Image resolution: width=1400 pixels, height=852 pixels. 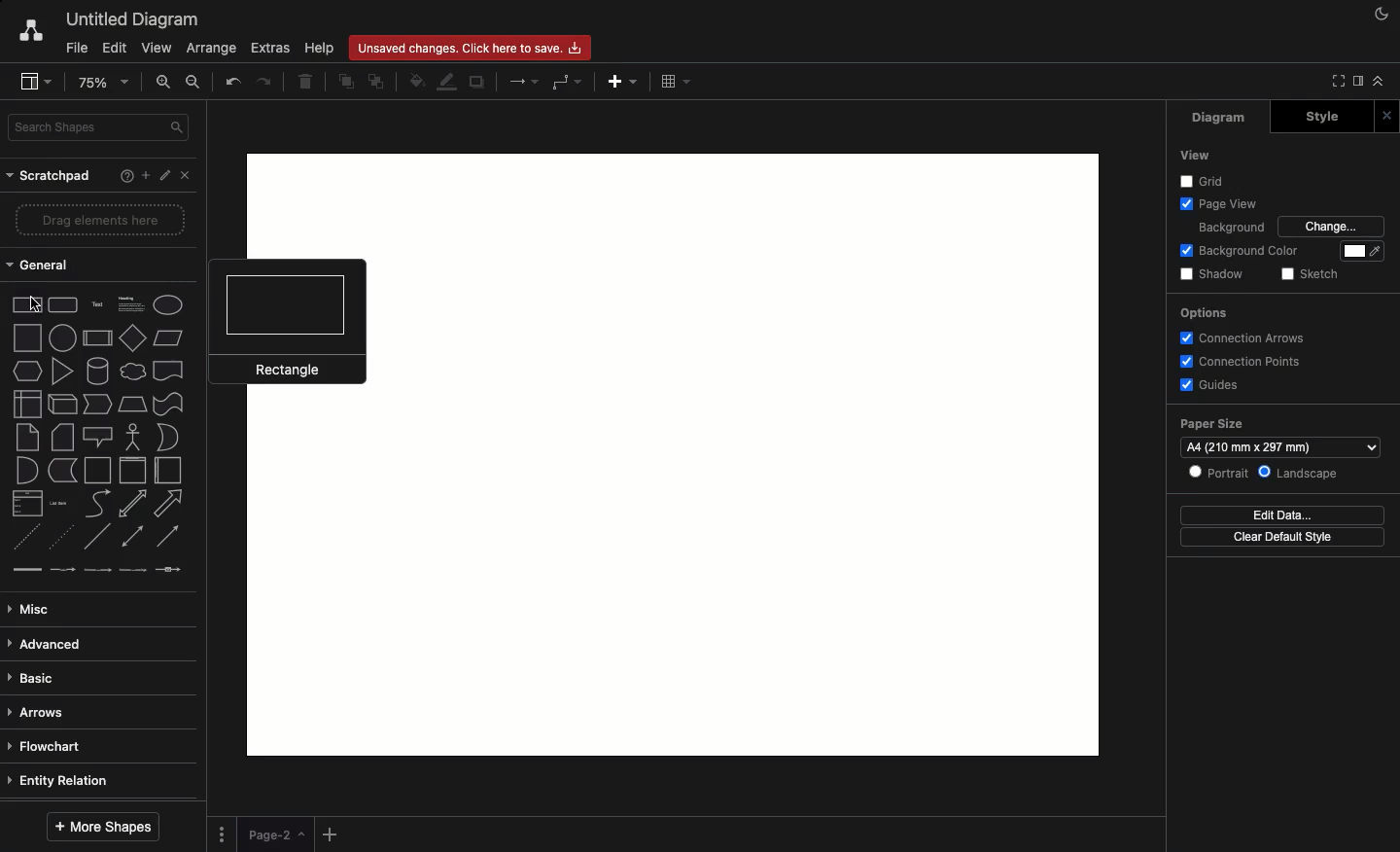 I want to click on step, so click(x=92, y=404).